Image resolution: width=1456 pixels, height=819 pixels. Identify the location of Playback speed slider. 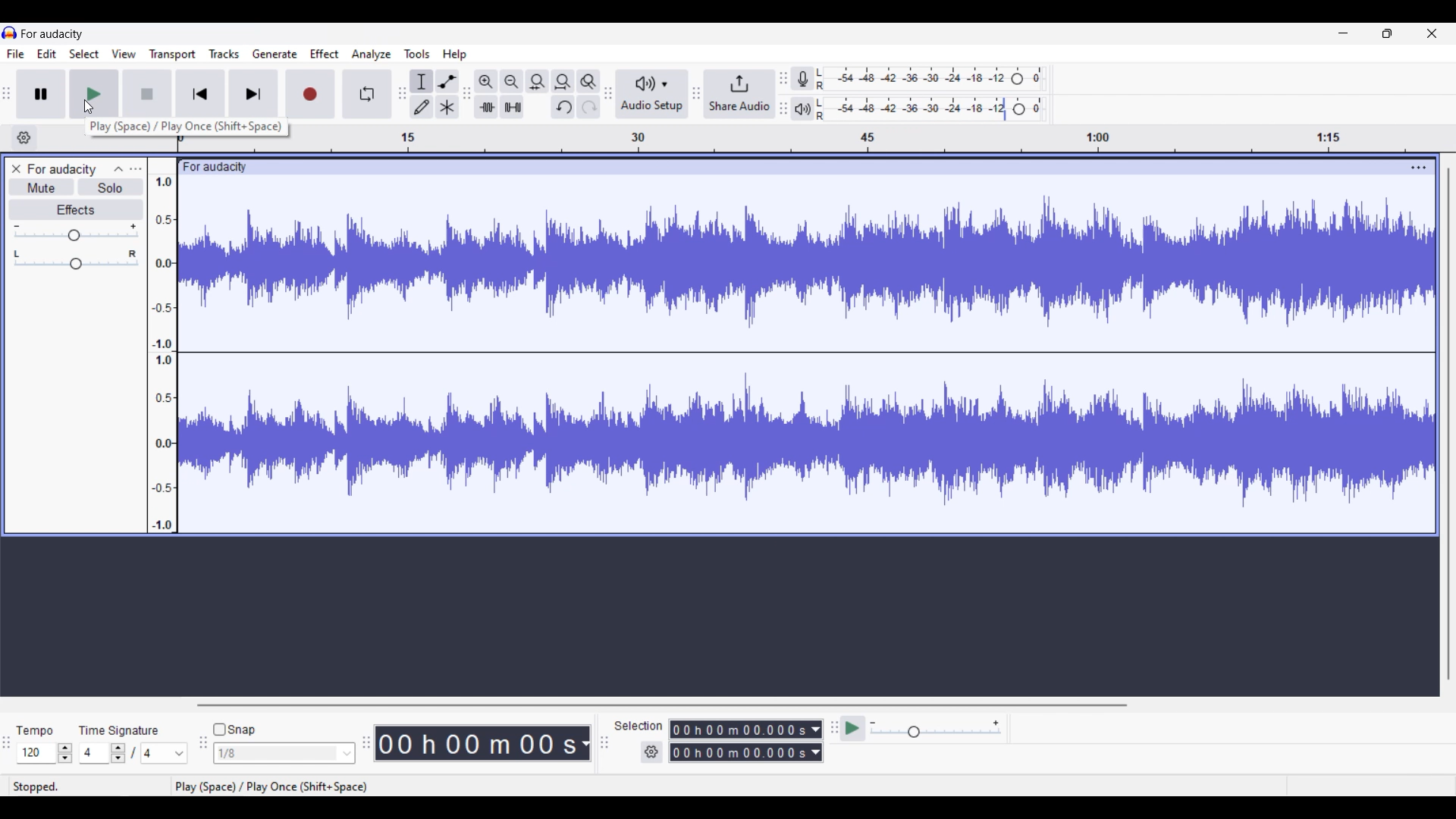
(935, 730).